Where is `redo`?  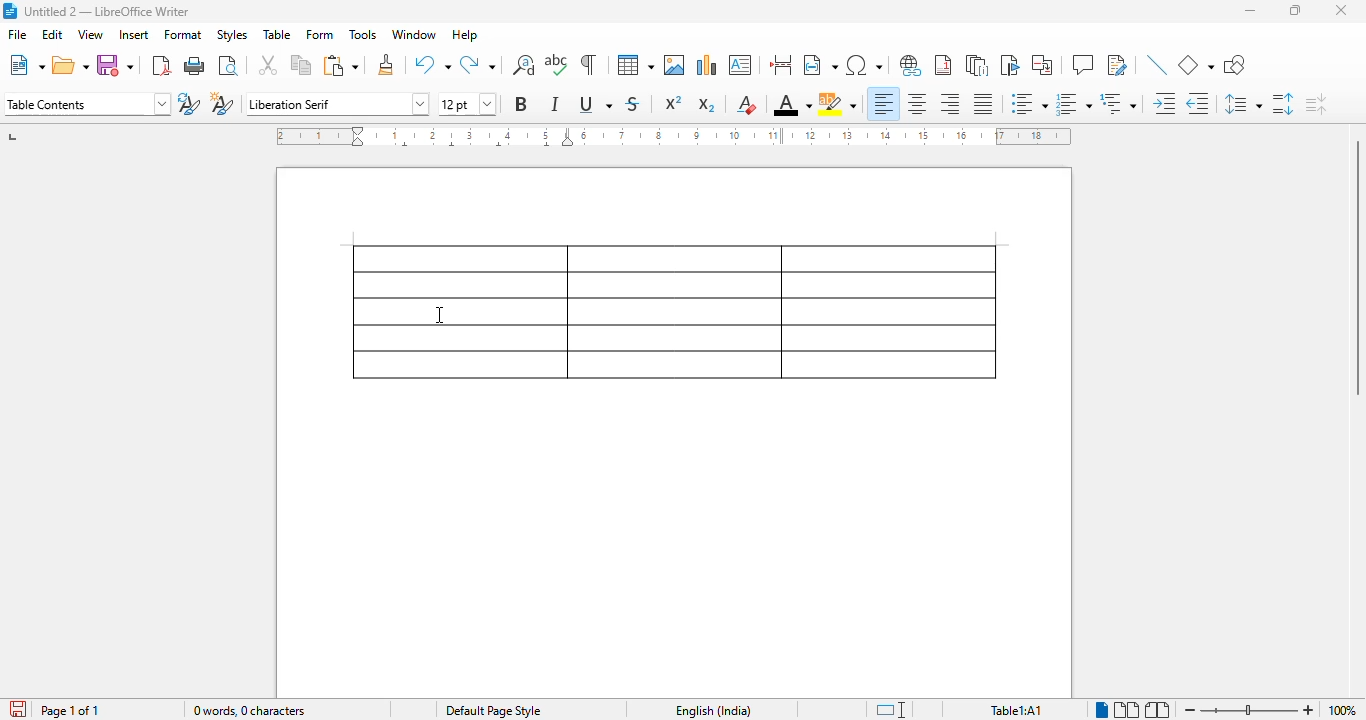
redo is located at coordinates (477, 64).